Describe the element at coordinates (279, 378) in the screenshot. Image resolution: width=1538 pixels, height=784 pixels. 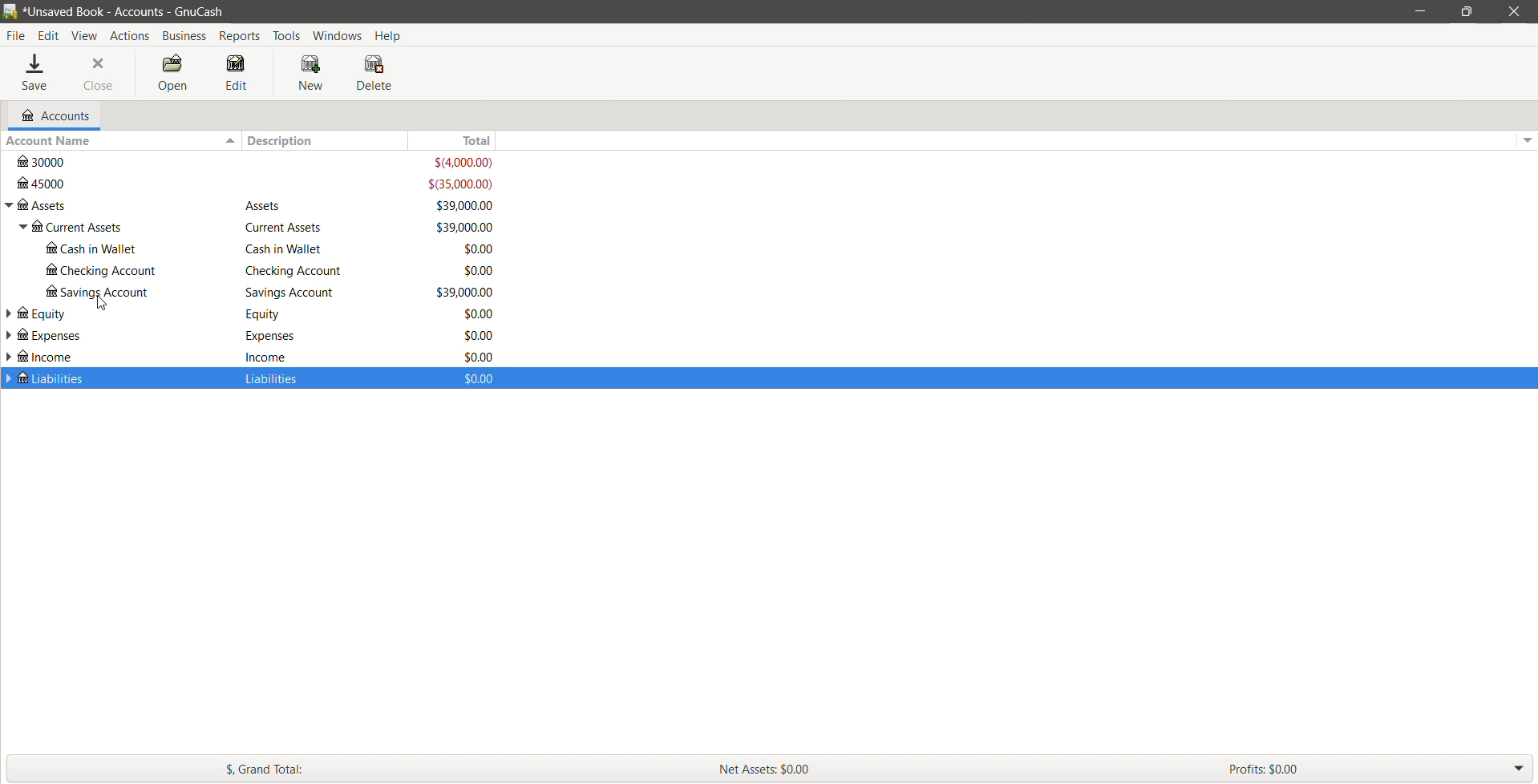
I see `Liabilities` at that location.